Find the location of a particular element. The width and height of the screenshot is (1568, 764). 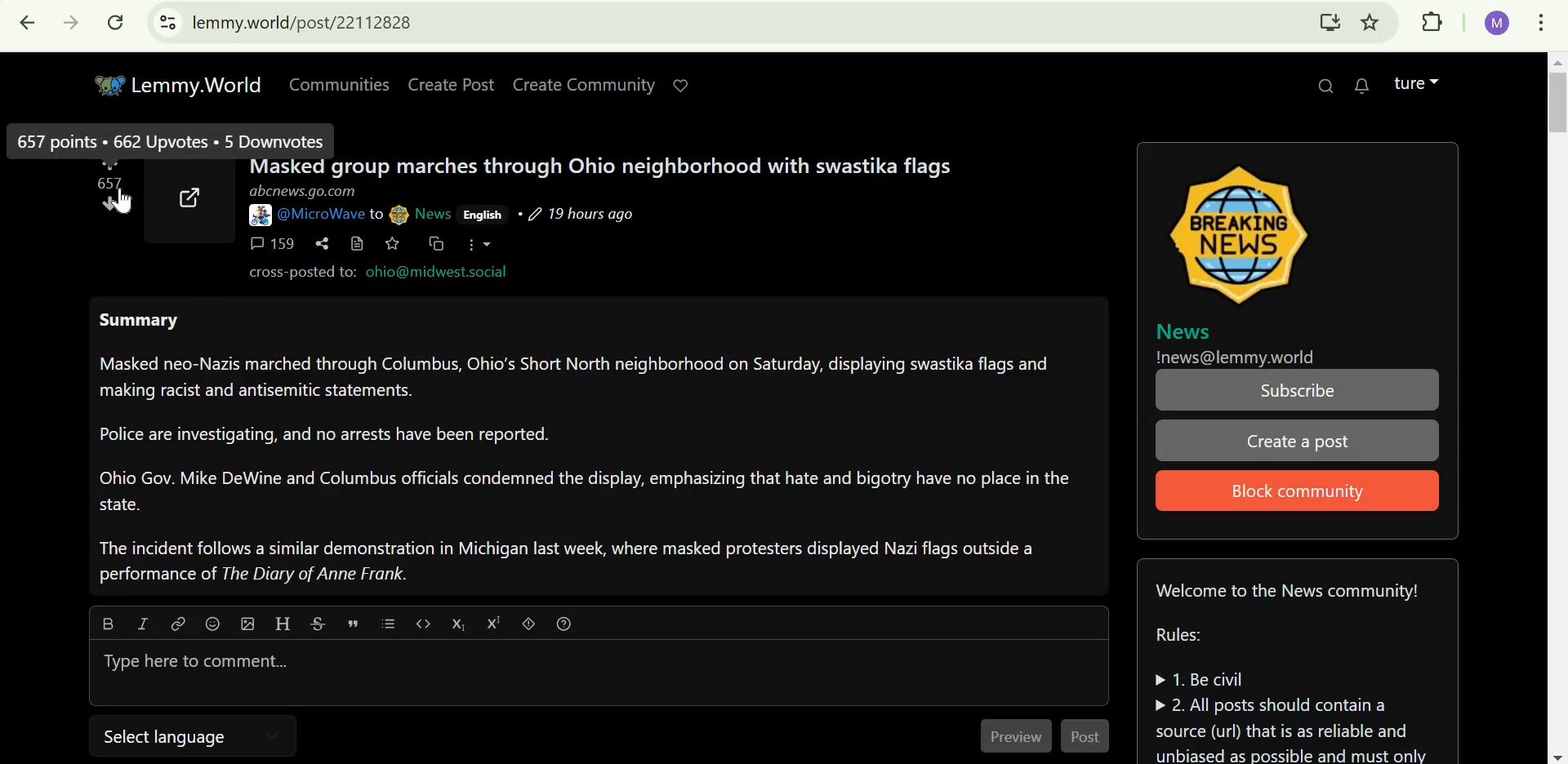

extensions is located at coordinates (1427, 22).